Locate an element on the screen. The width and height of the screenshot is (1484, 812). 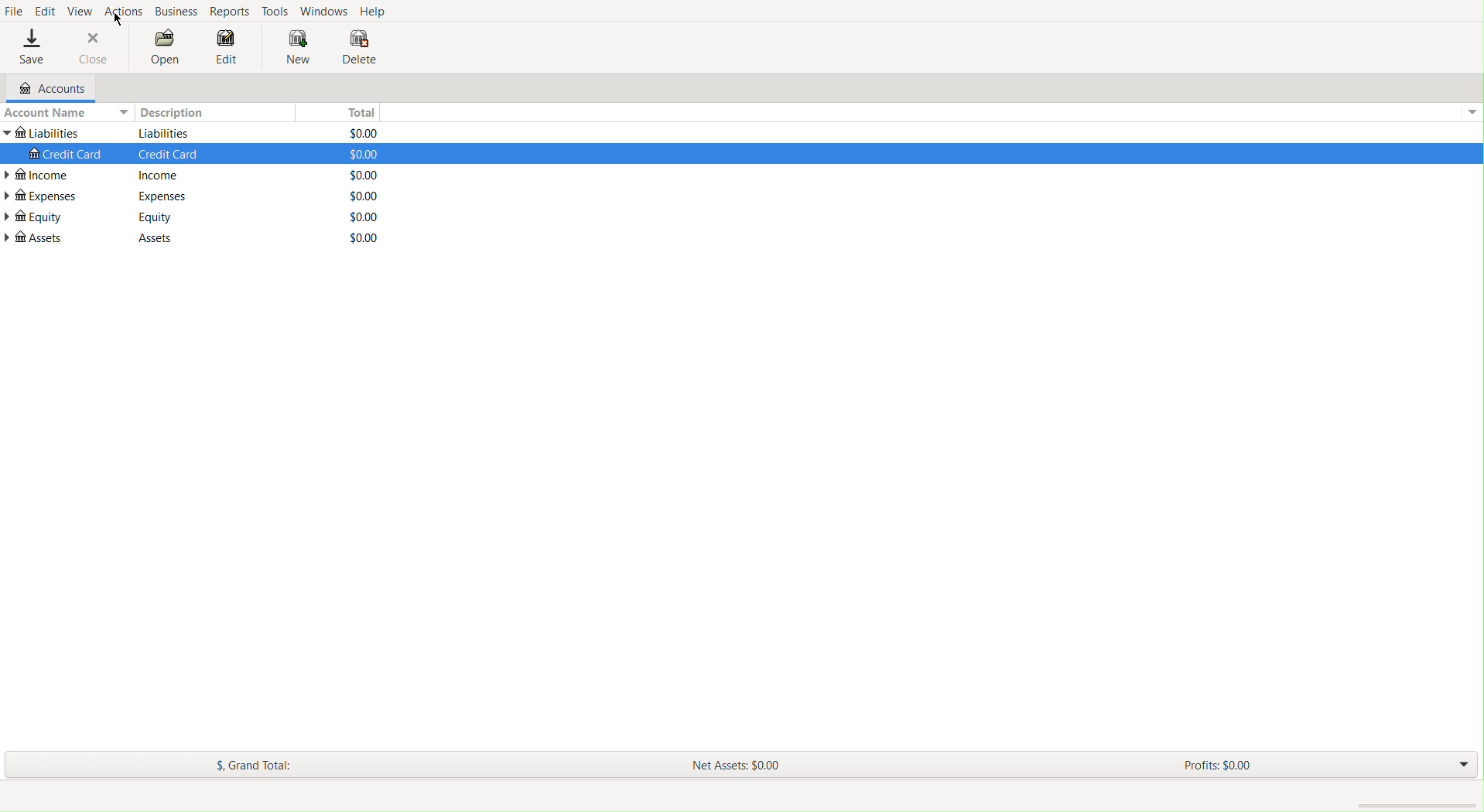
Credit Card is located at coordinates (67, 155).